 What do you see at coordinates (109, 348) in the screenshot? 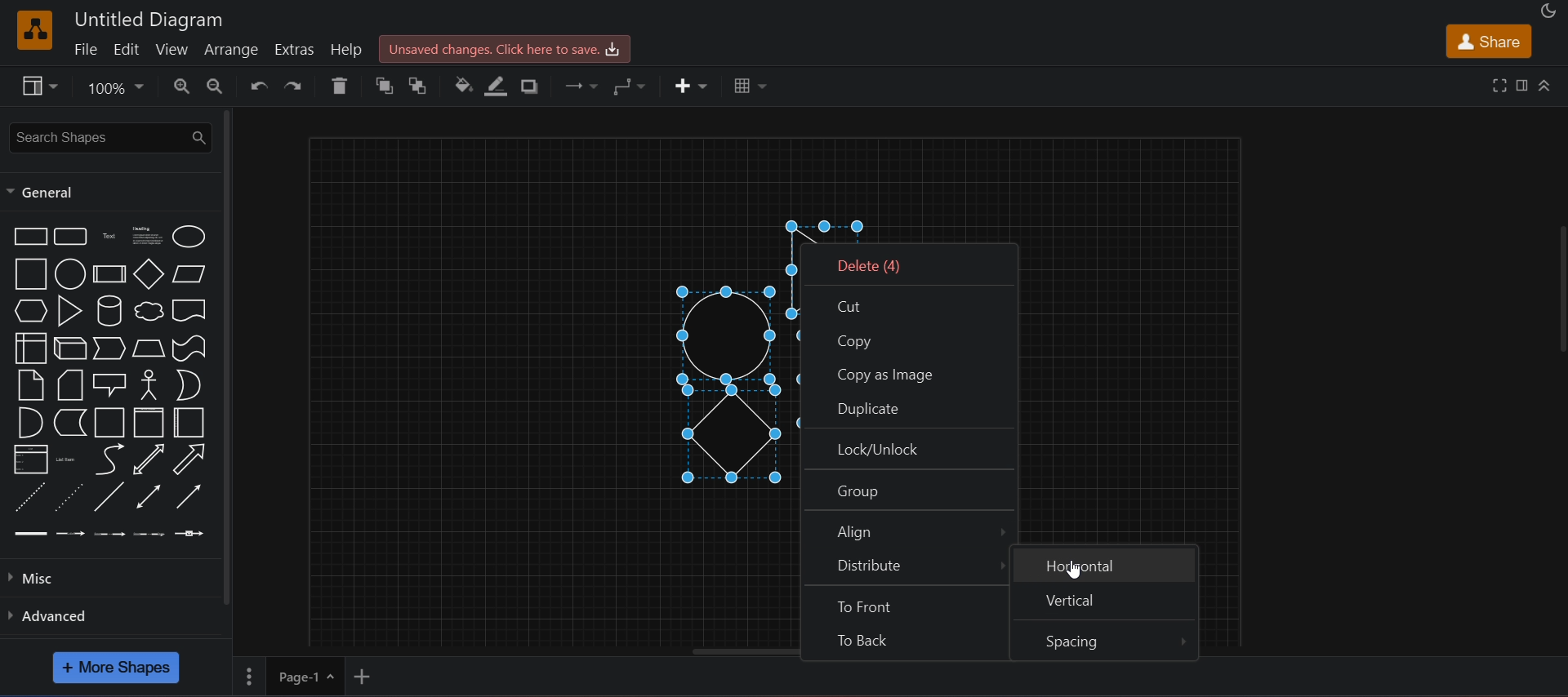
I see `step` at bounding box center [109, 348].